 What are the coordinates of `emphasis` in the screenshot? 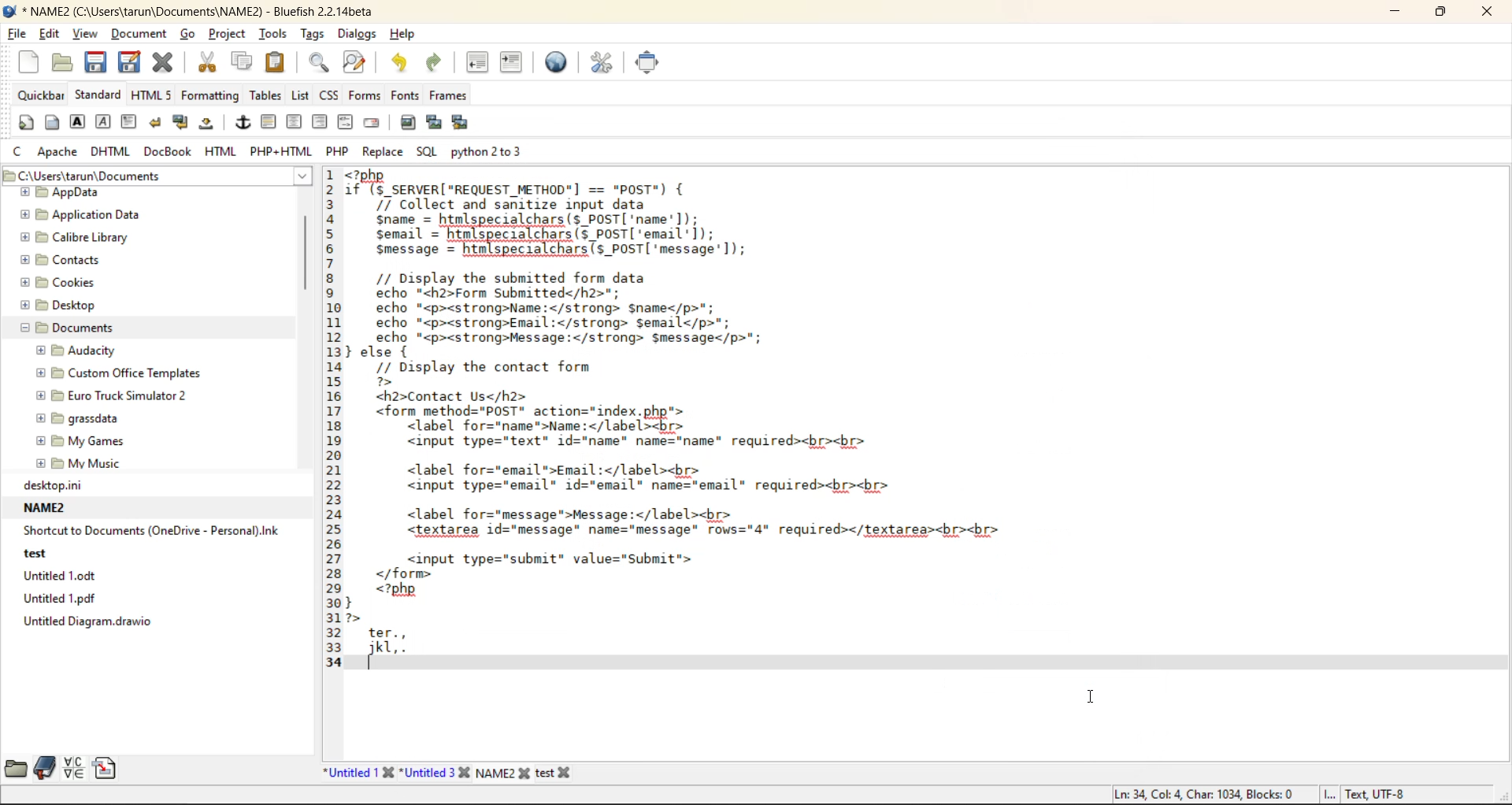 It's located at (105, 121).